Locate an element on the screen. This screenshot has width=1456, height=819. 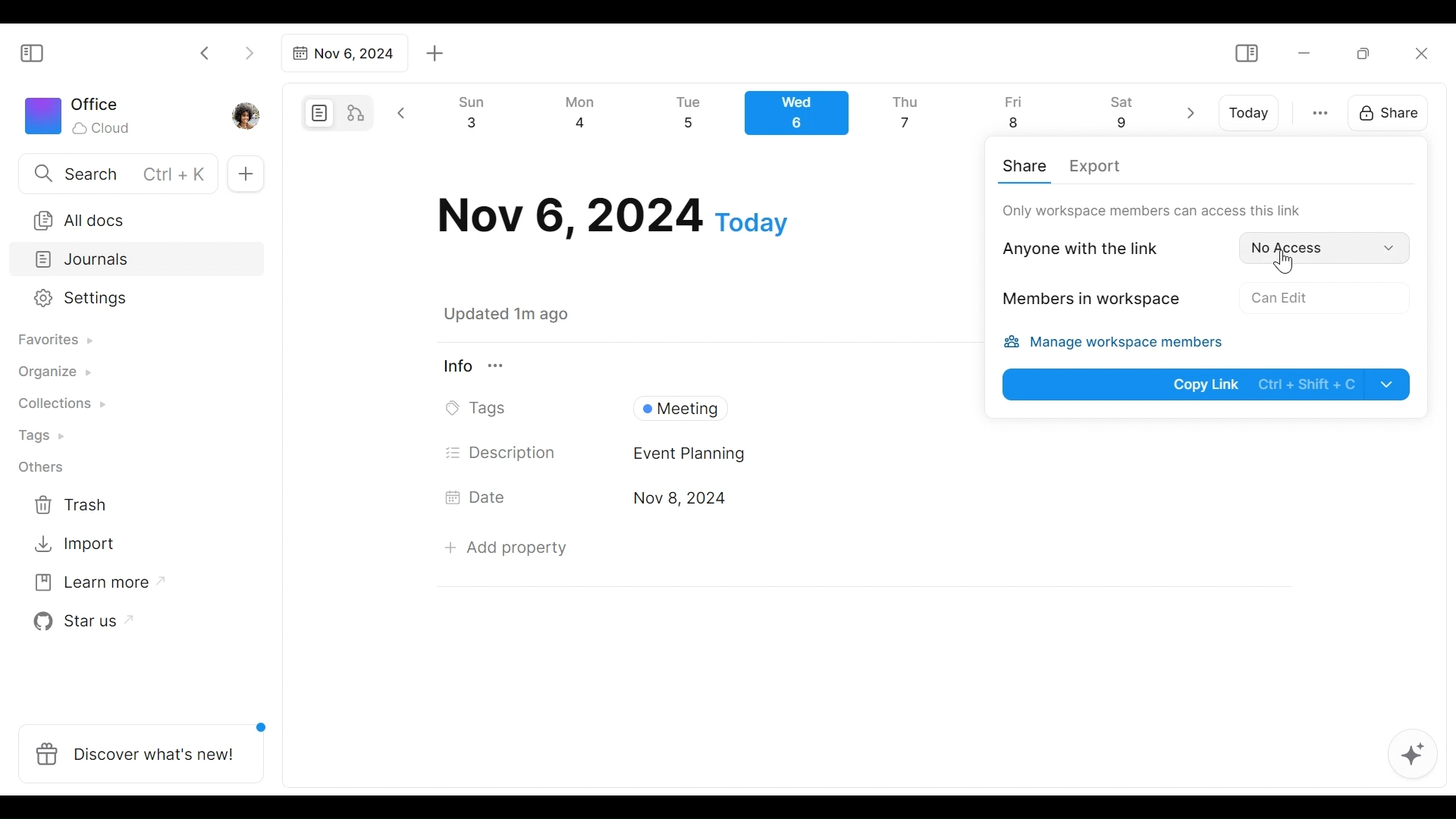
Add new  is located at coordinates (244, 174).